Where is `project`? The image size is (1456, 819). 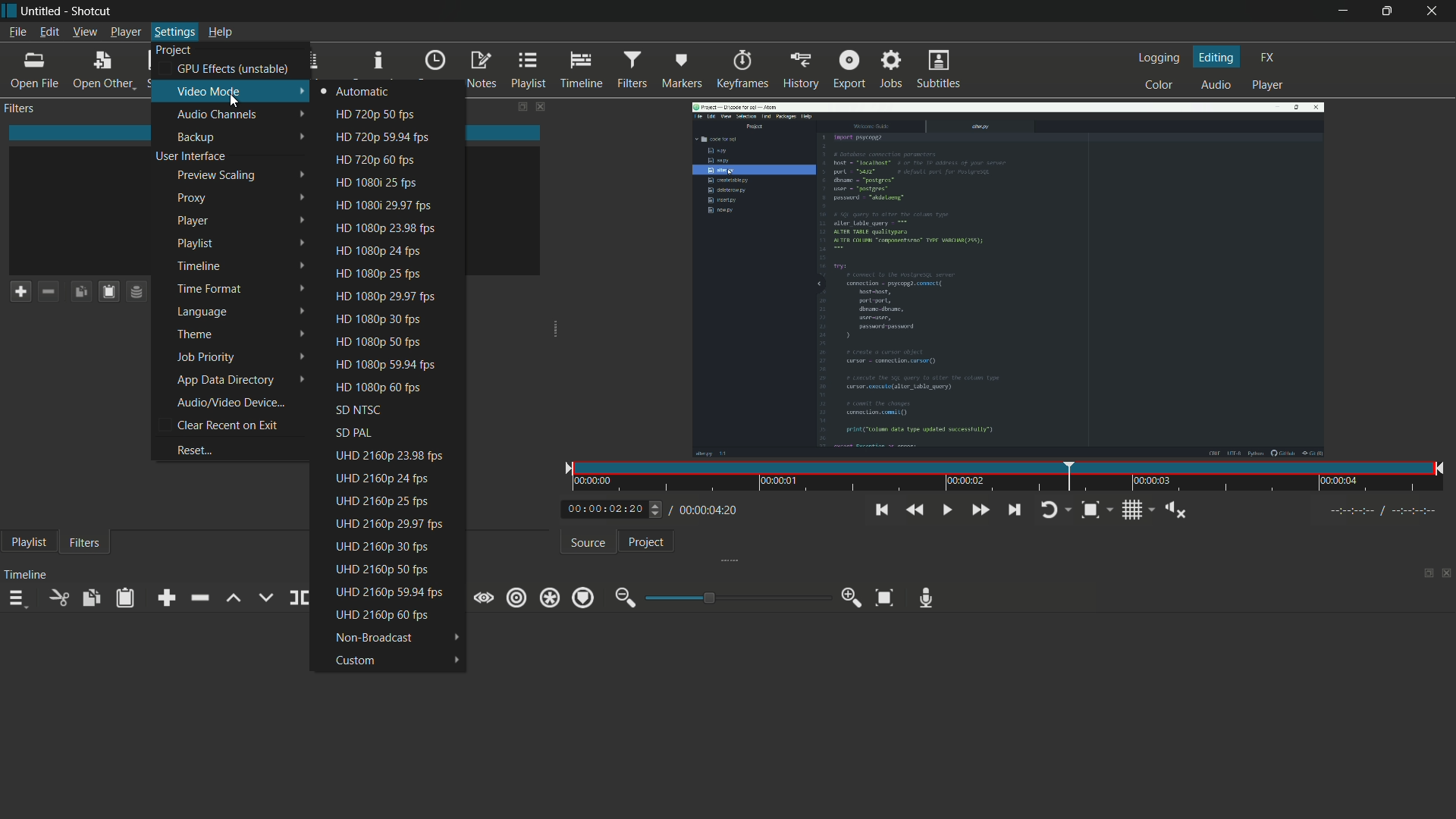 project is located at coordinates (645, 541).